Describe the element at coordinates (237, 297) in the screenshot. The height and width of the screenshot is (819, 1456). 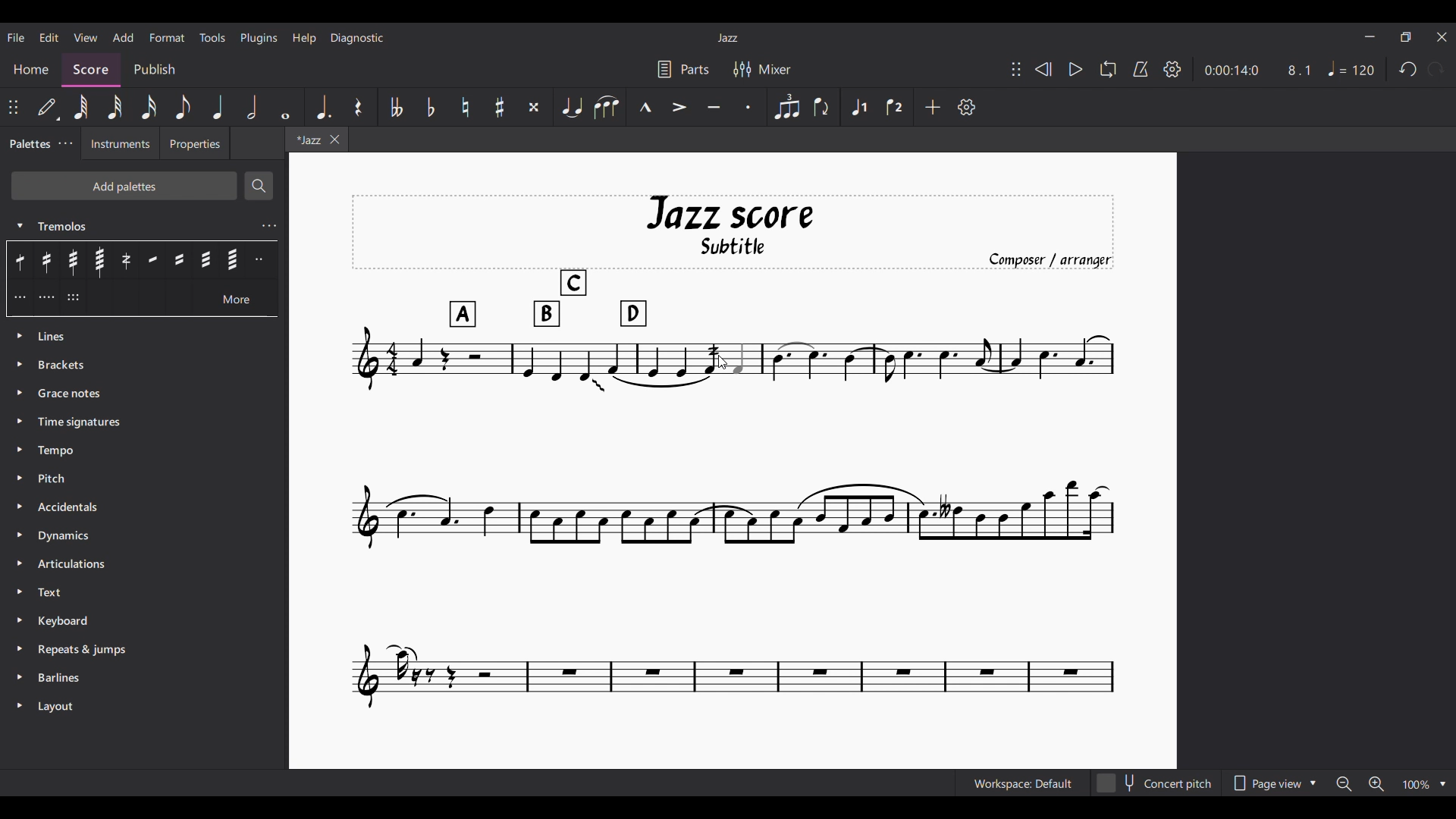
I see `More` at that location.